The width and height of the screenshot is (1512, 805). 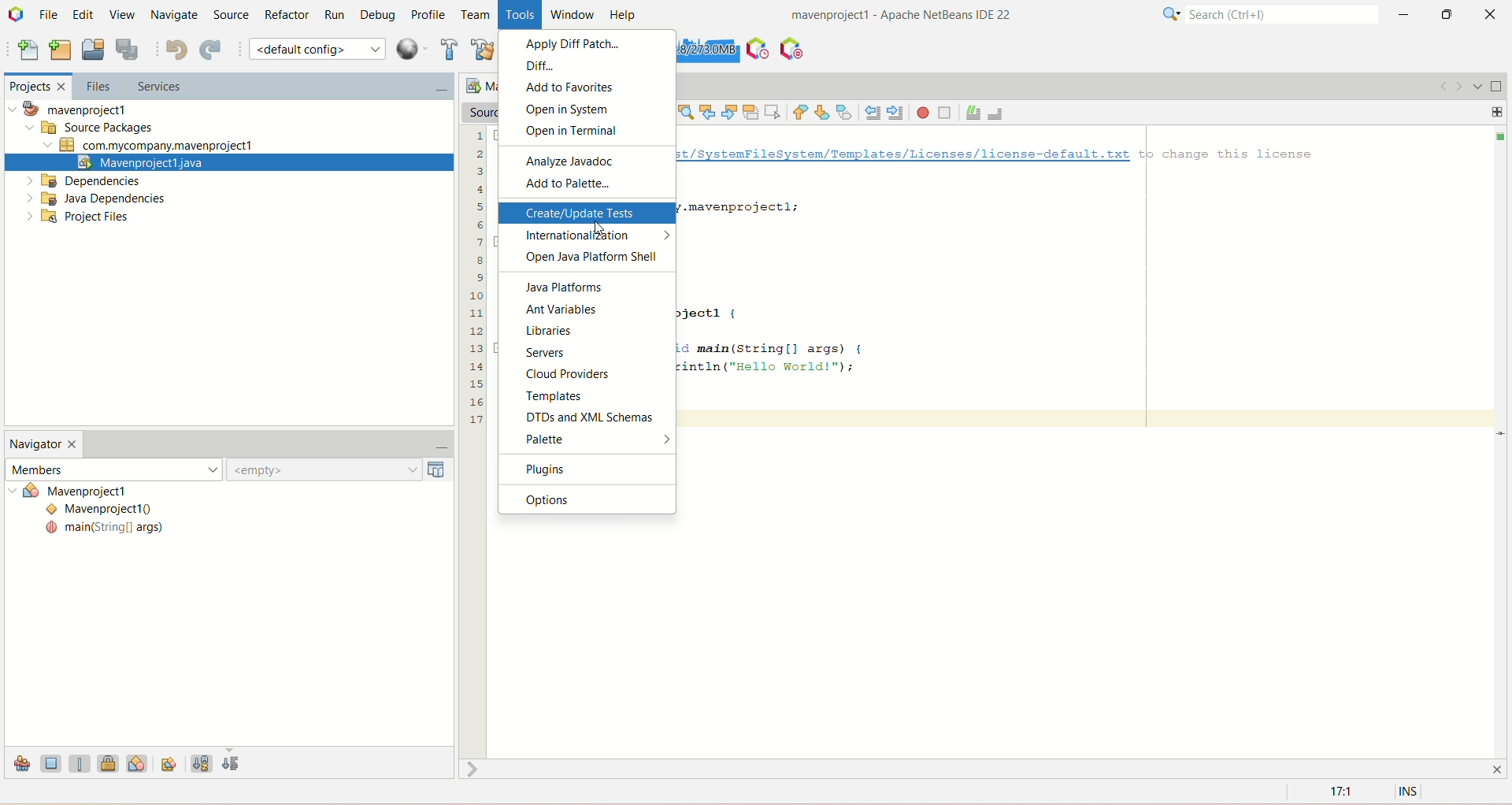 I want to click on members, so click(x=113, y=468).